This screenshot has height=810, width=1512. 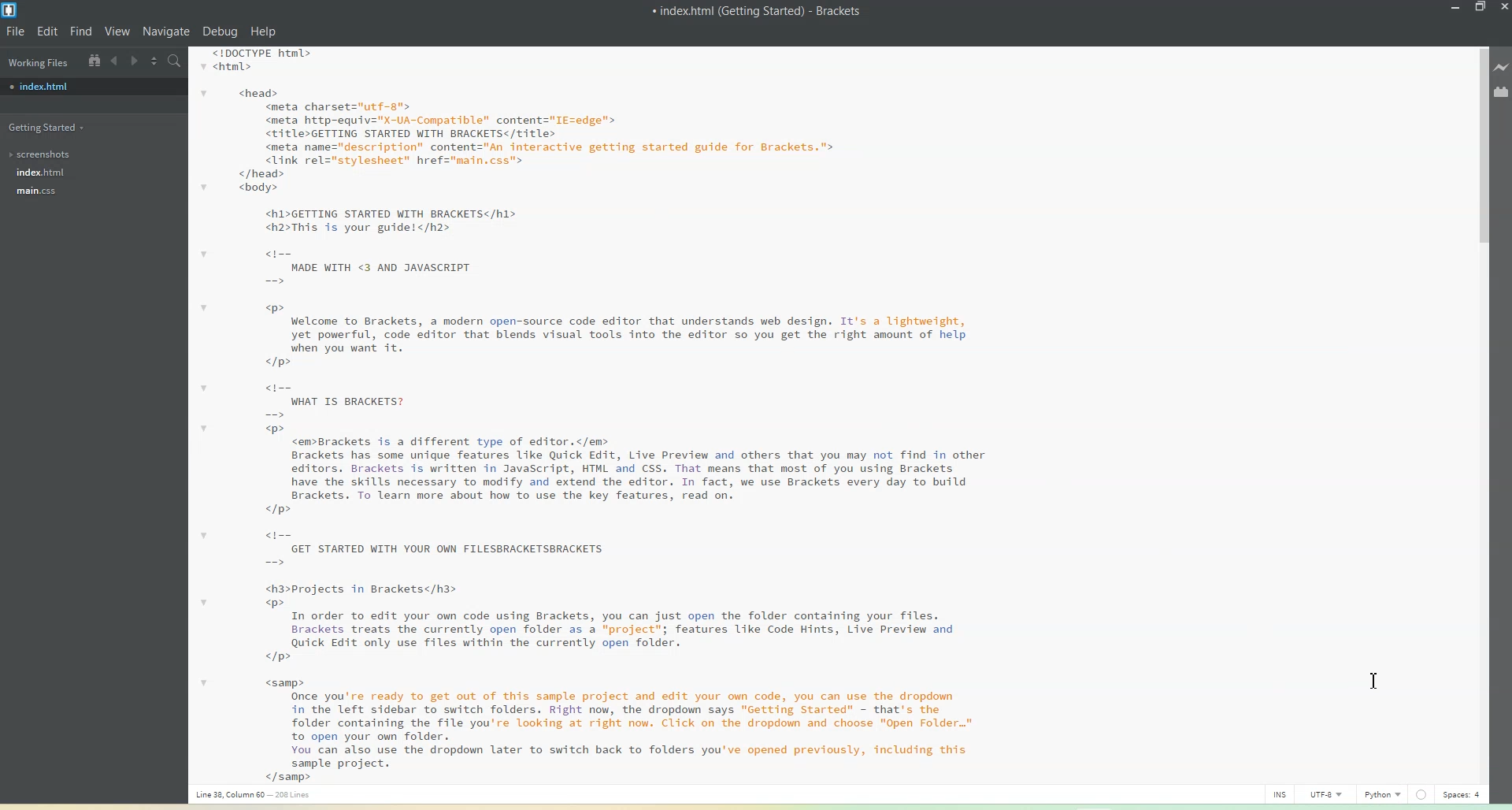 I want to click on Find in files, so click(x=176, y=61).